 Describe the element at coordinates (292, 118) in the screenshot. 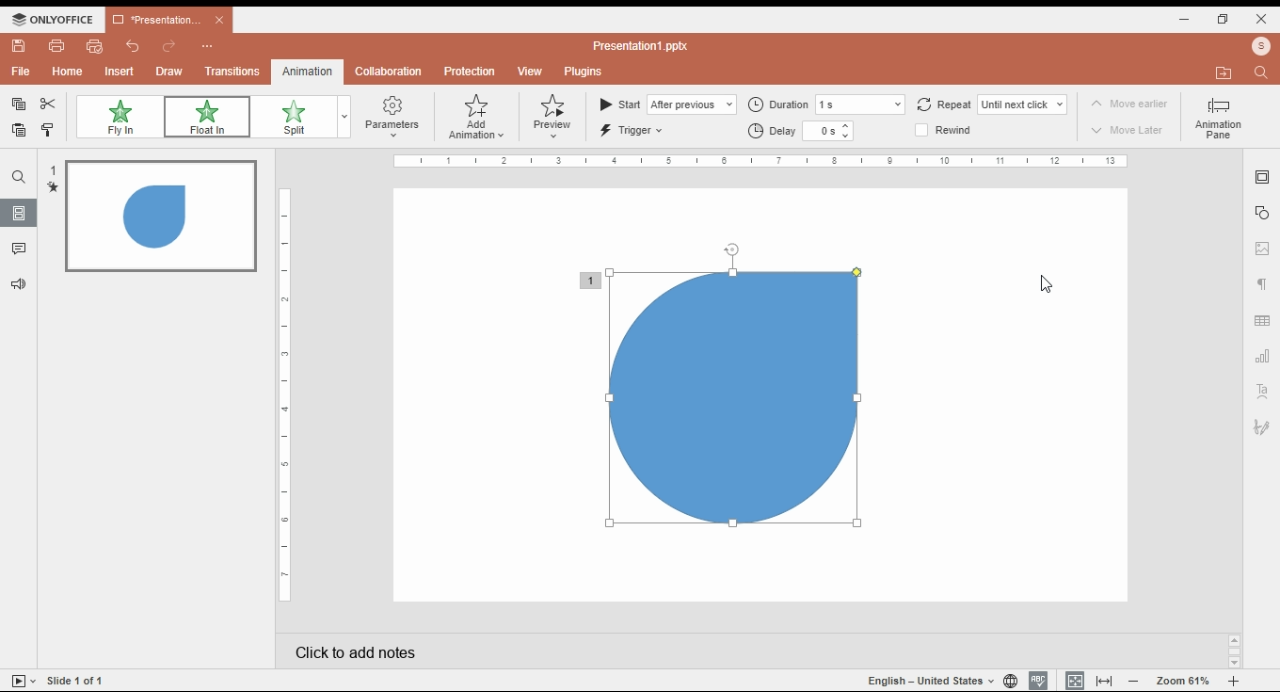

I see `split` at that location.